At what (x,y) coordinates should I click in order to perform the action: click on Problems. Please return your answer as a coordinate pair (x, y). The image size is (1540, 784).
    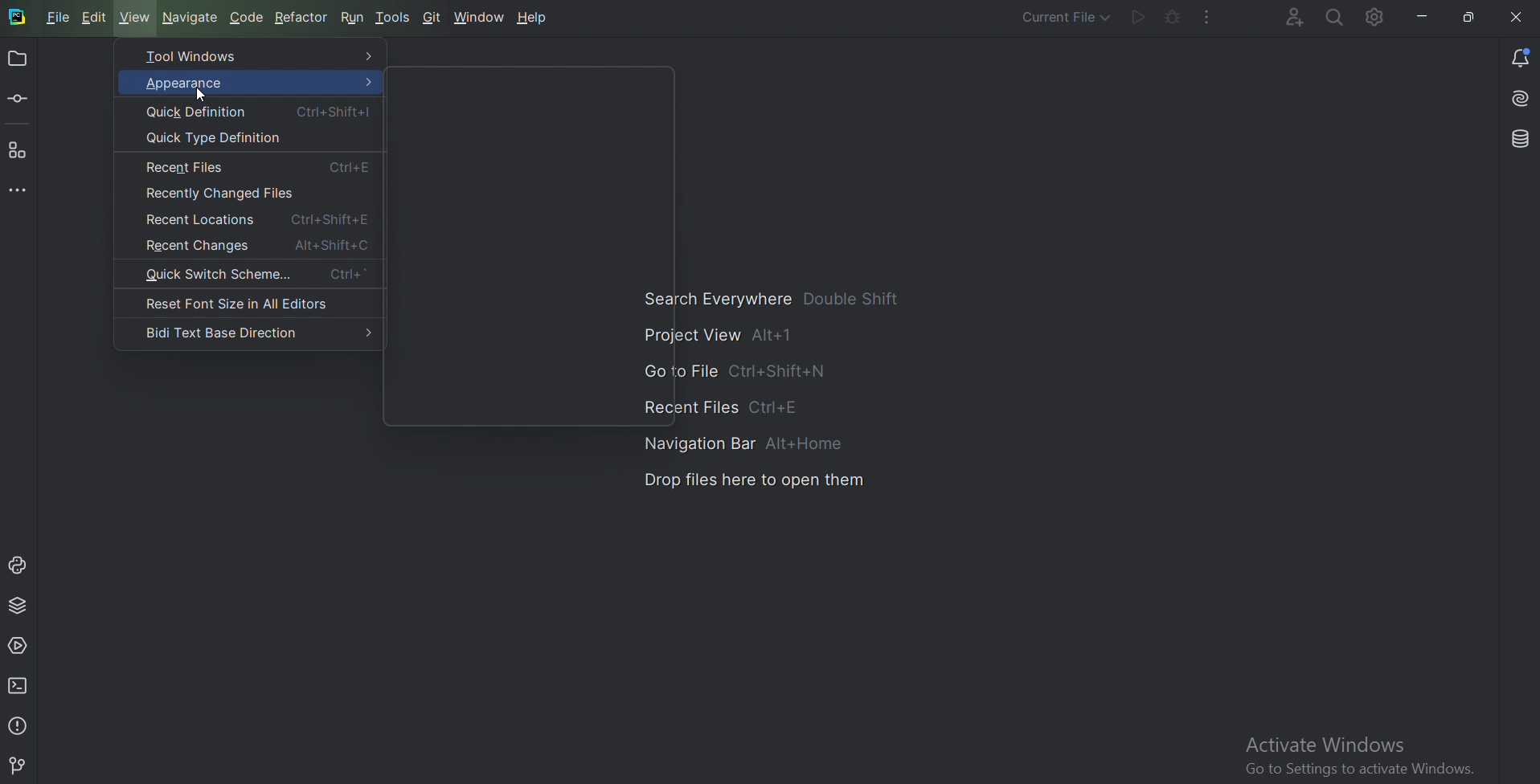
    Looking at the image, I should click on (18, 725).